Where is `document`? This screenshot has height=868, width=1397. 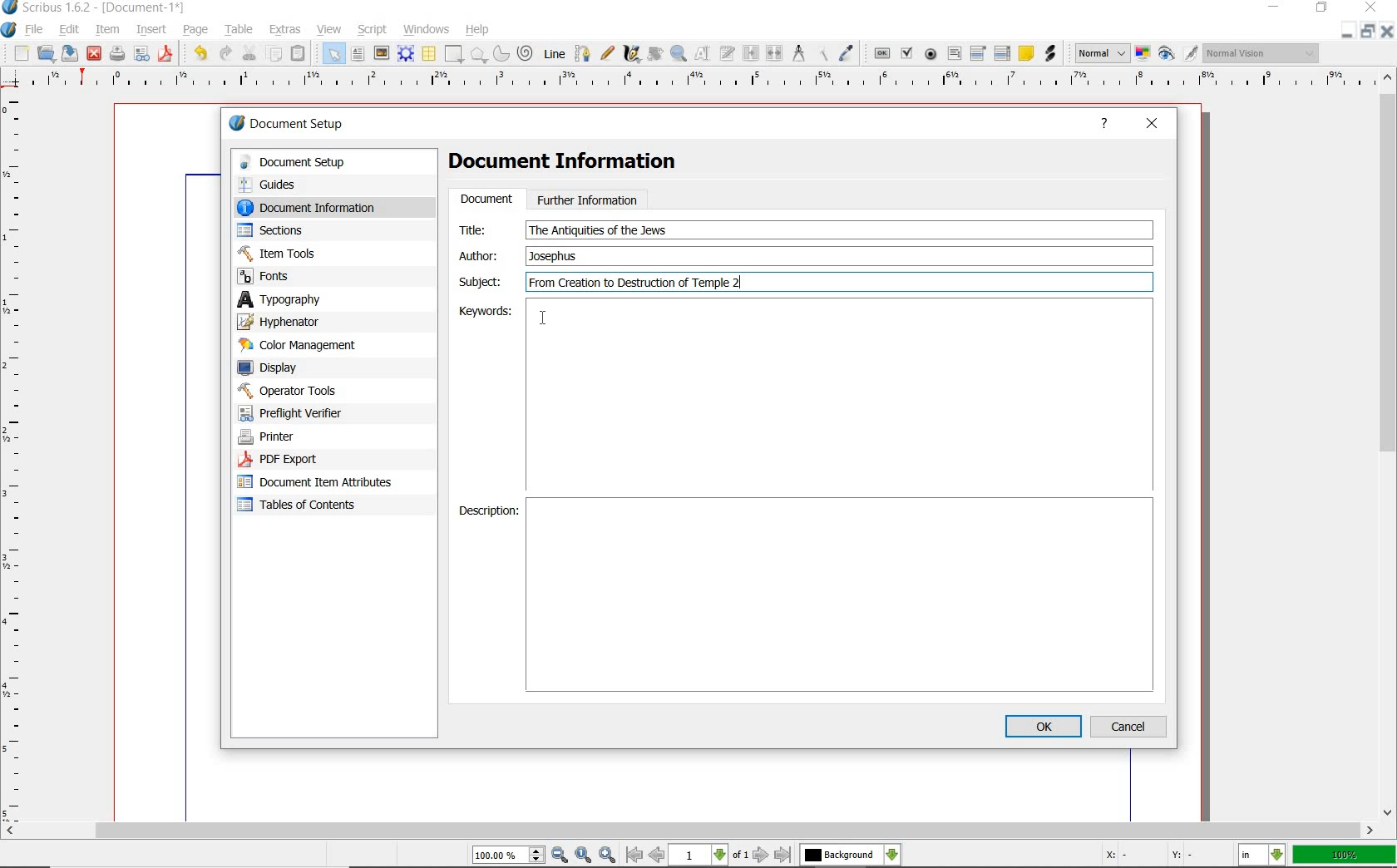 document is located at coordinates (486, 200).